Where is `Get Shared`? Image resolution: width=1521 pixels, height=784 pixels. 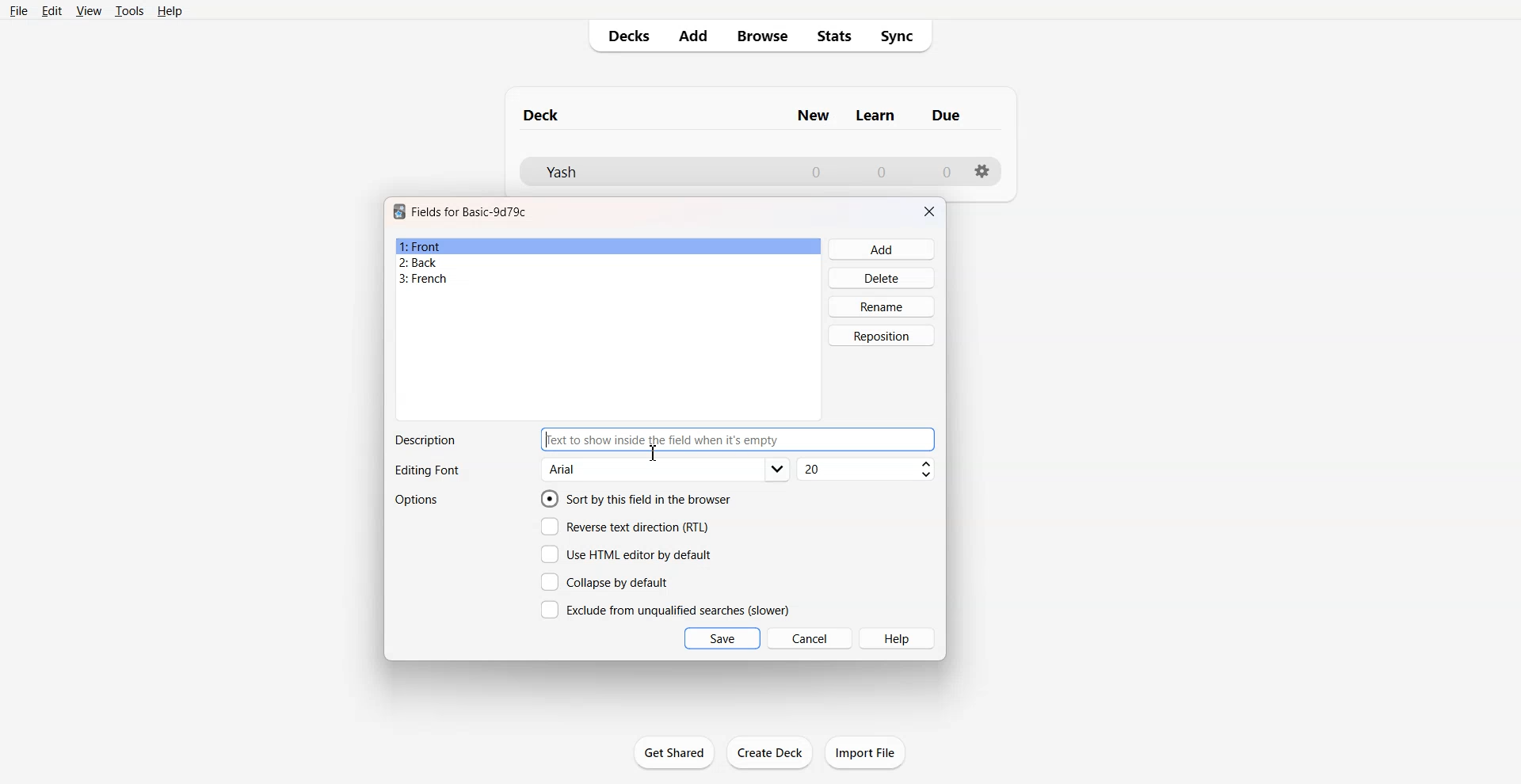
Get Shared is located at coordinates (674, 752).